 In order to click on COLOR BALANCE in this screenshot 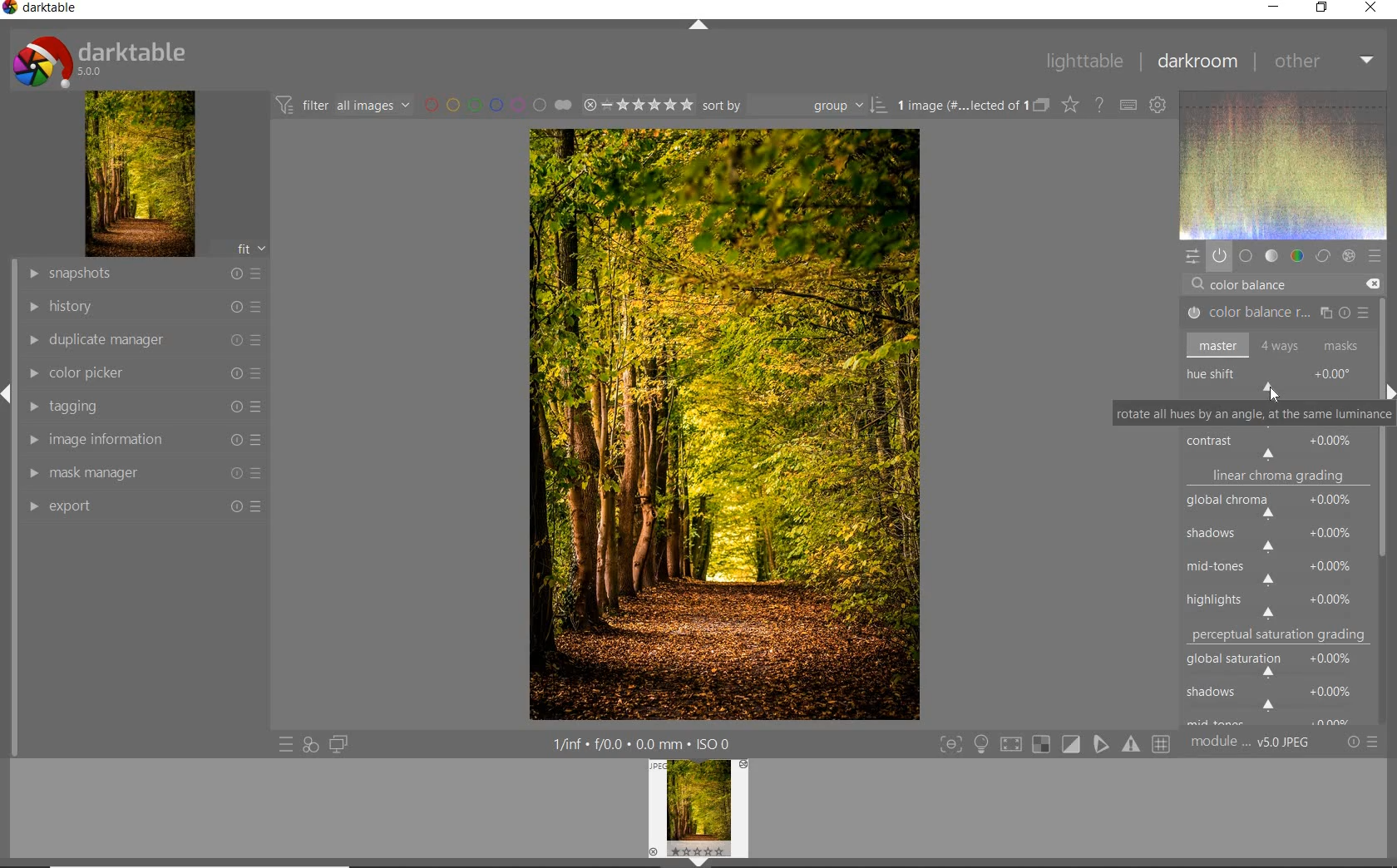, I will do `click(1253, 285)`.